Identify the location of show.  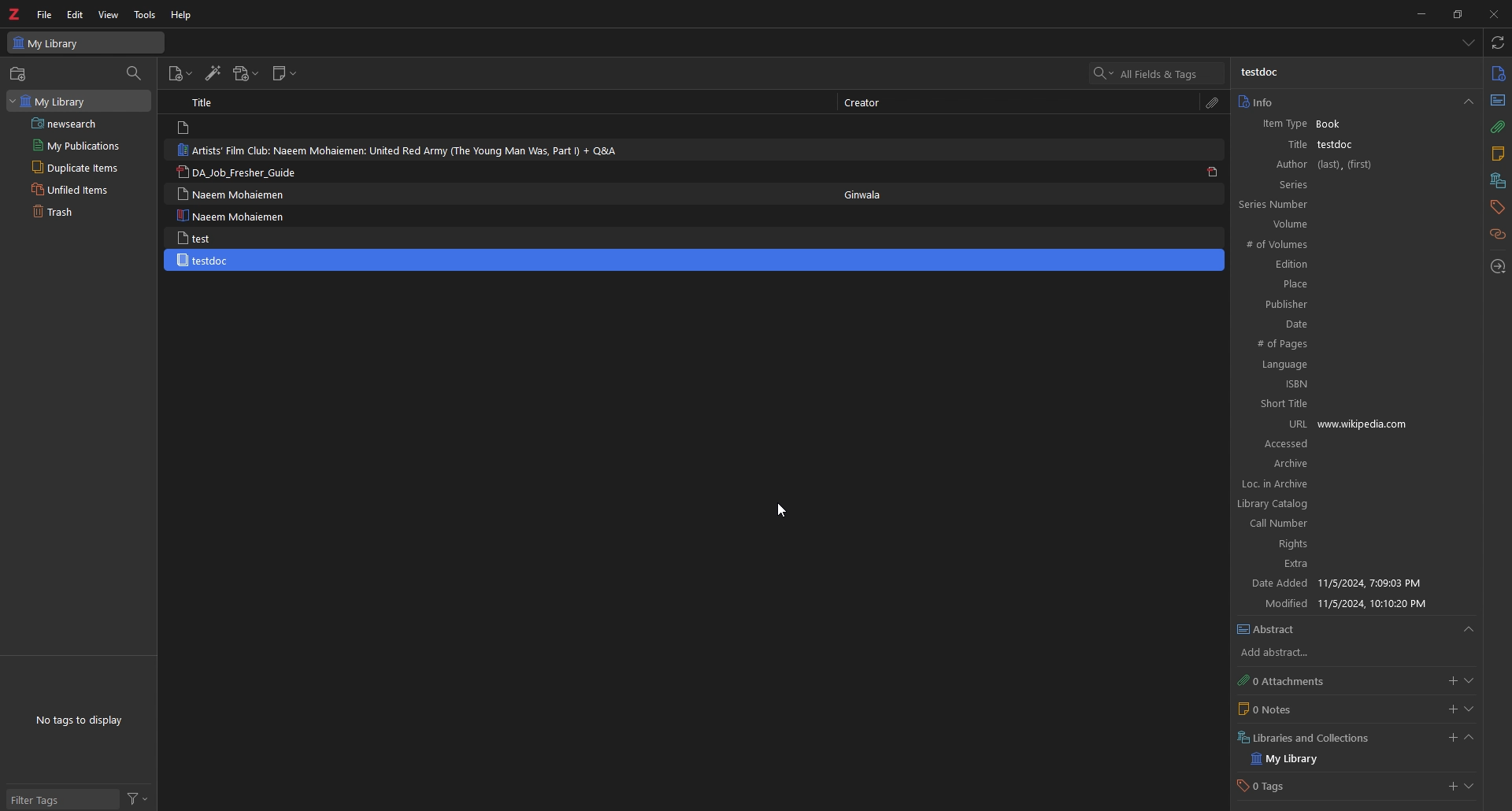
(1470, 786).